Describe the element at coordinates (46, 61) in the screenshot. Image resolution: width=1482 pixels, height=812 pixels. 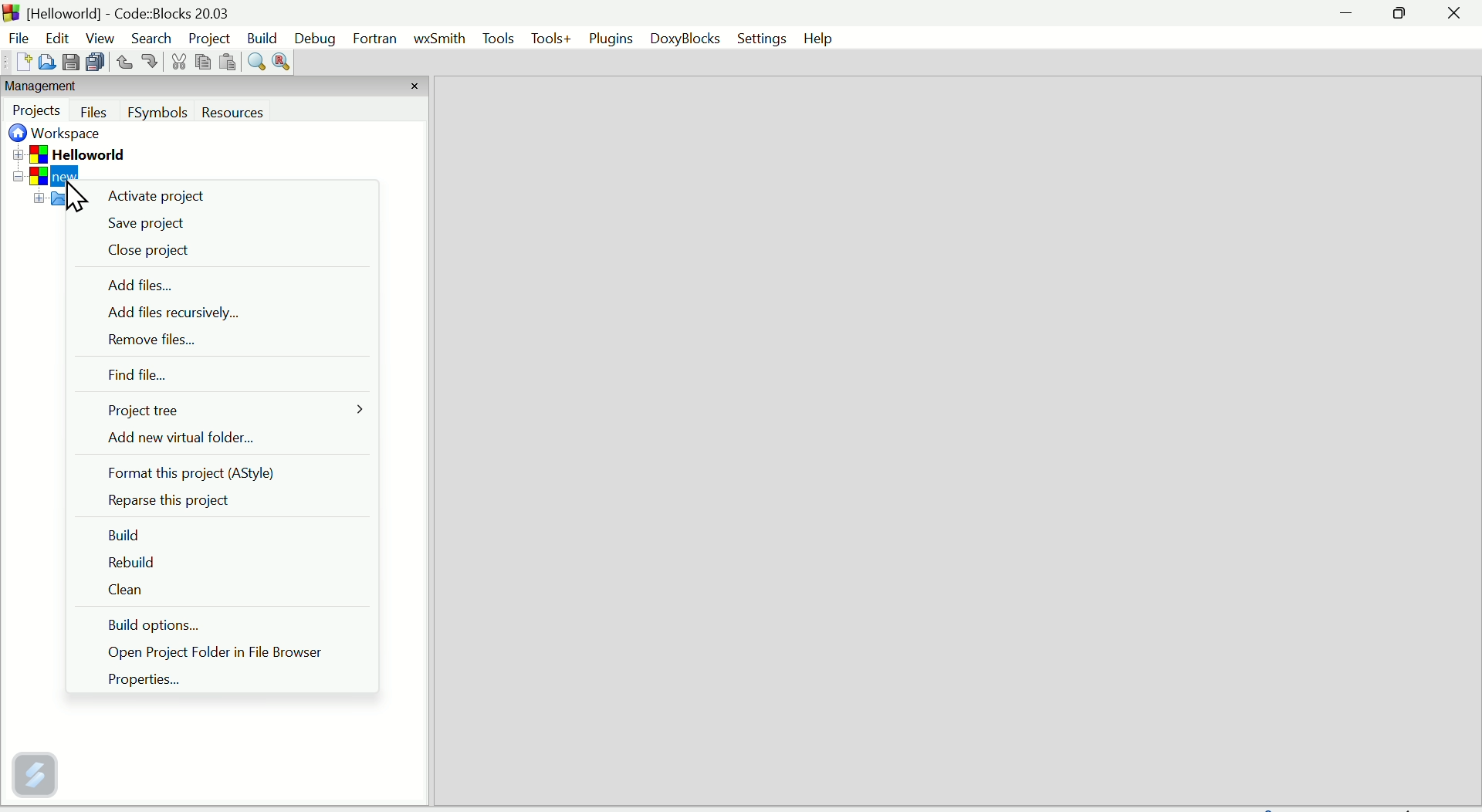
I see `Open` at that location.